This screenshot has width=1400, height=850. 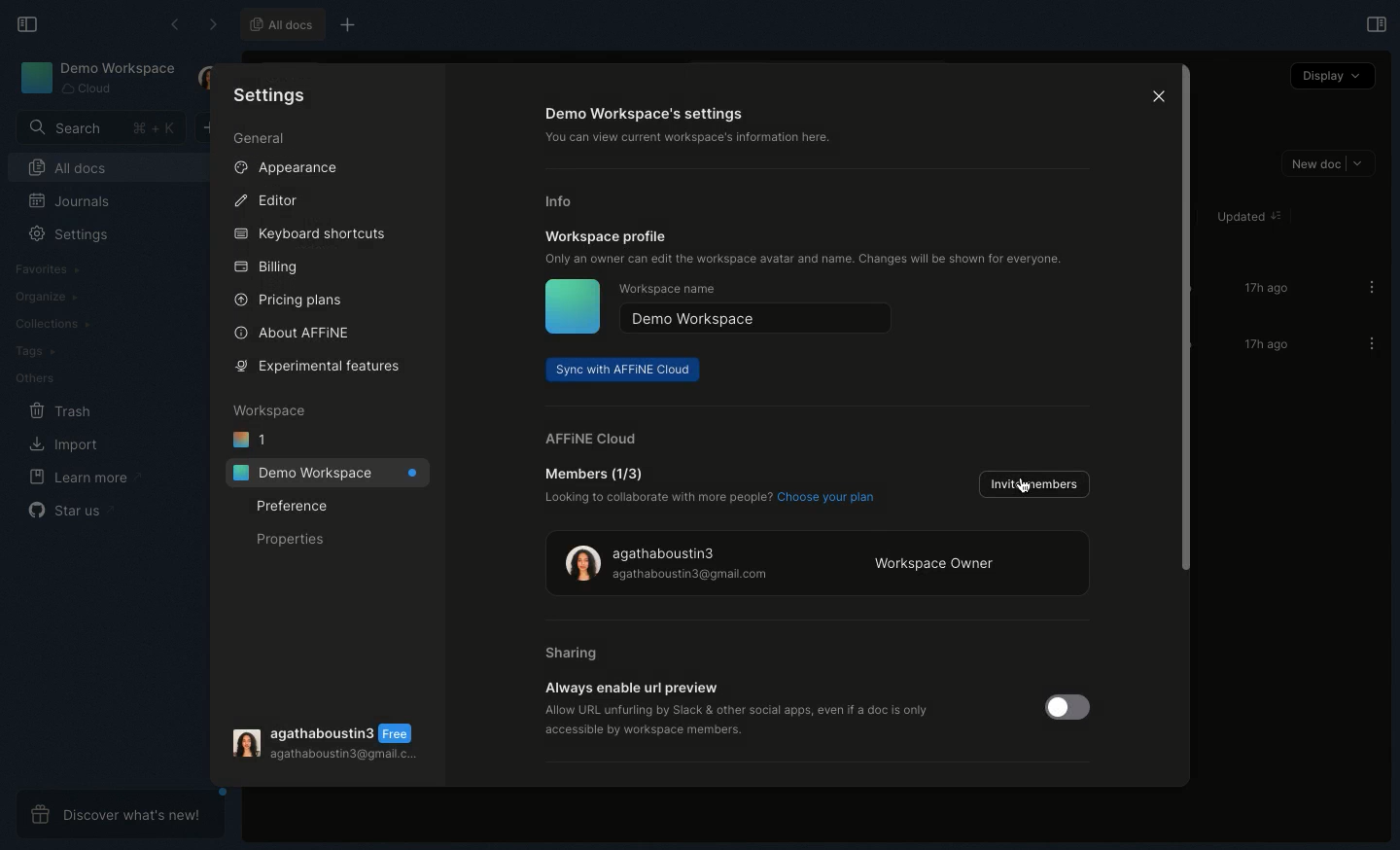 I want to click on All docs, so click(x=280, y=24).